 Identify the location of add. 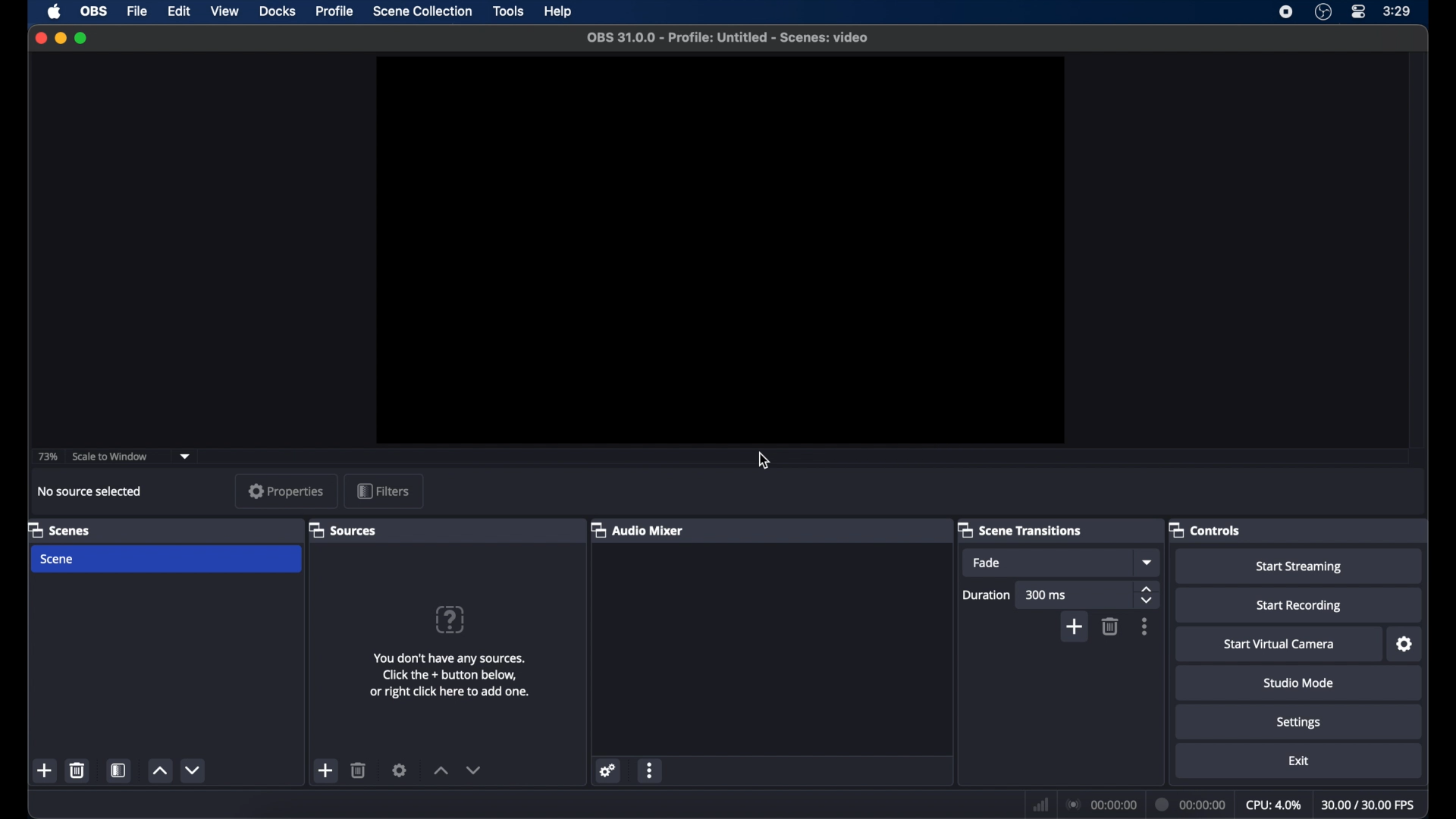
(45, 770).